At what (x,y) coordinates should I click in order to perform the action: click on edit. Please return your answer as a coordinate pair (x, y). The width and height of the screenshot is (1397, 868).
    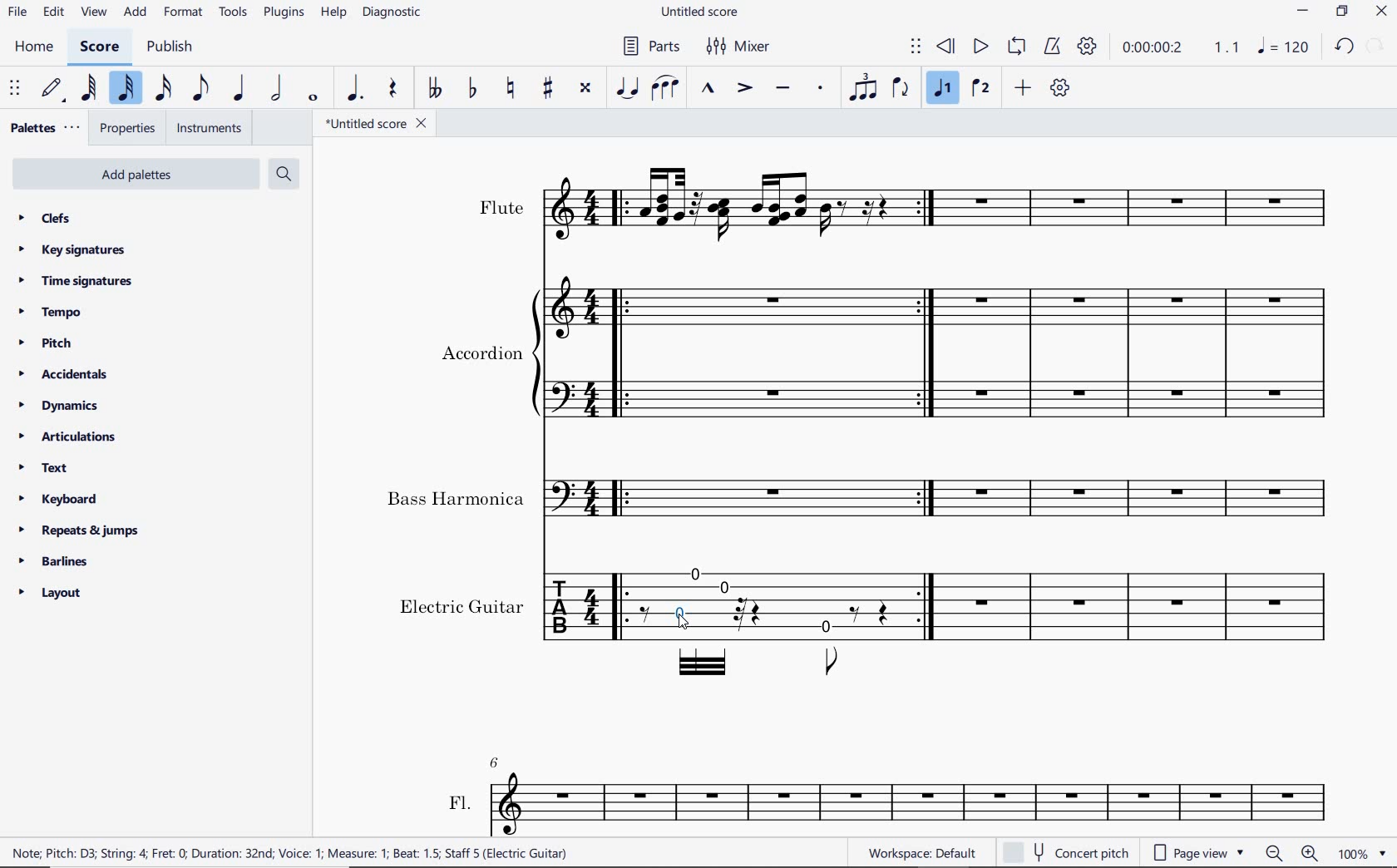
    Looking at the image, I should click on (53, 14).